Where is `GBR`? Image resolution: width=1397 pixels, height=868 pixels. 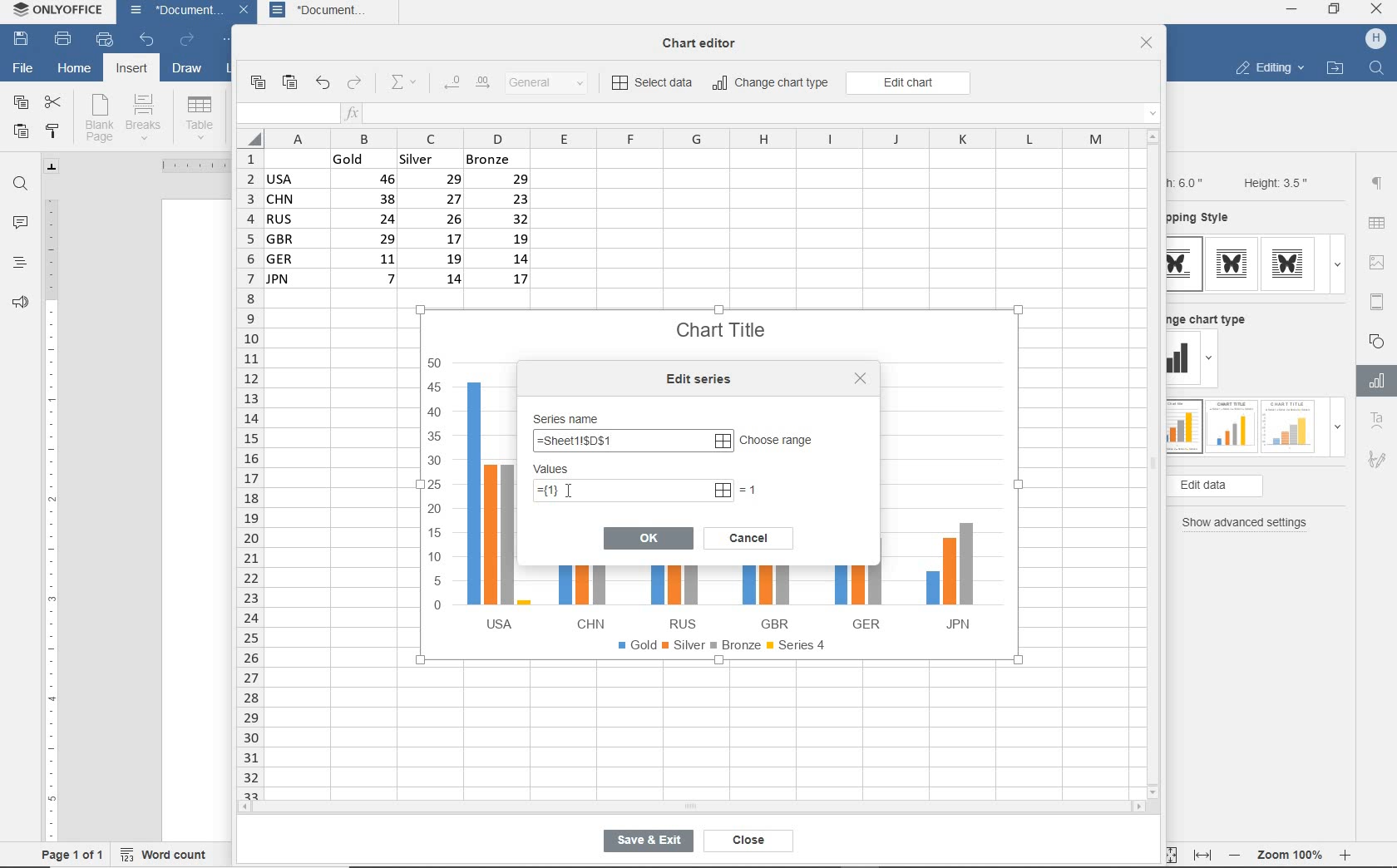
GBR is located at coordinates (769, 598).